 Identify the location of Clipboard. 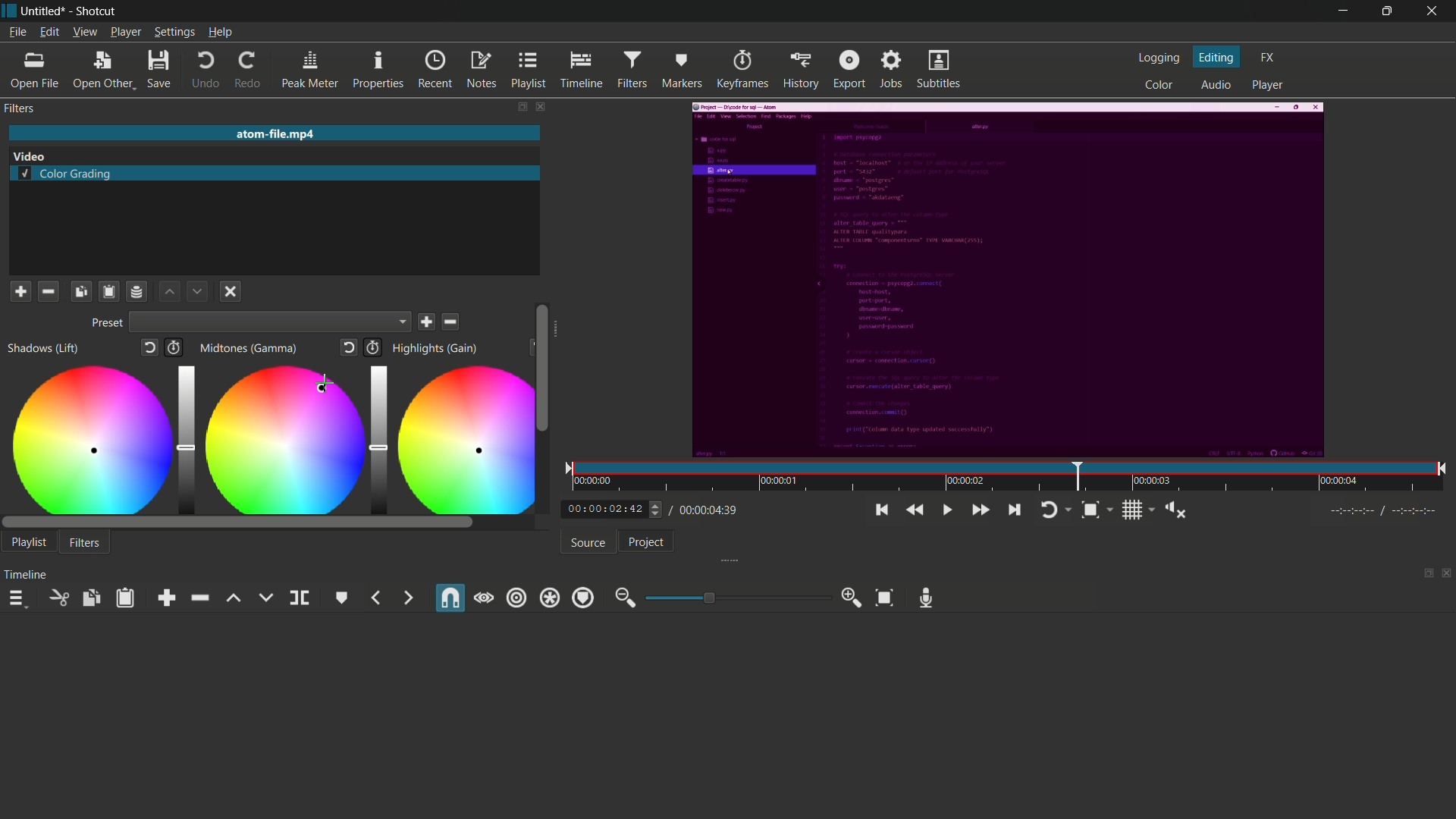
(108, 291).